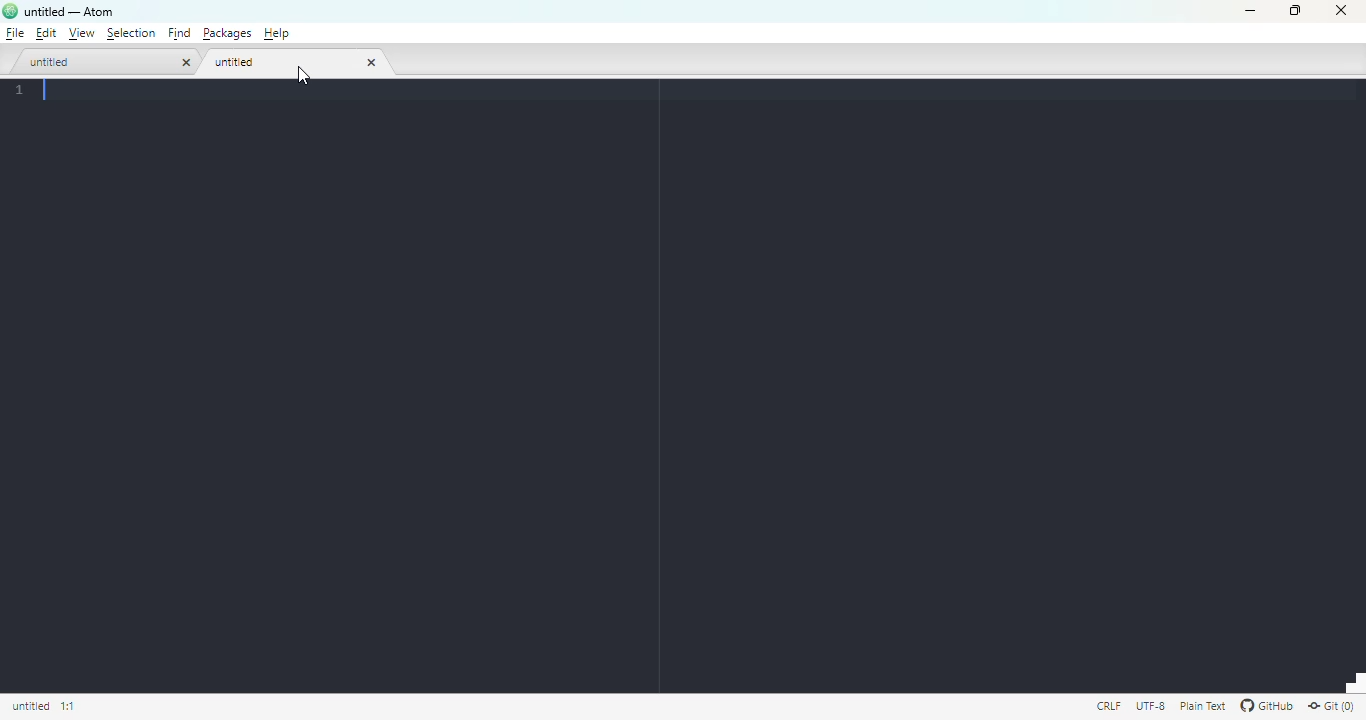  I want to click on plain text, so click(1202, 706).